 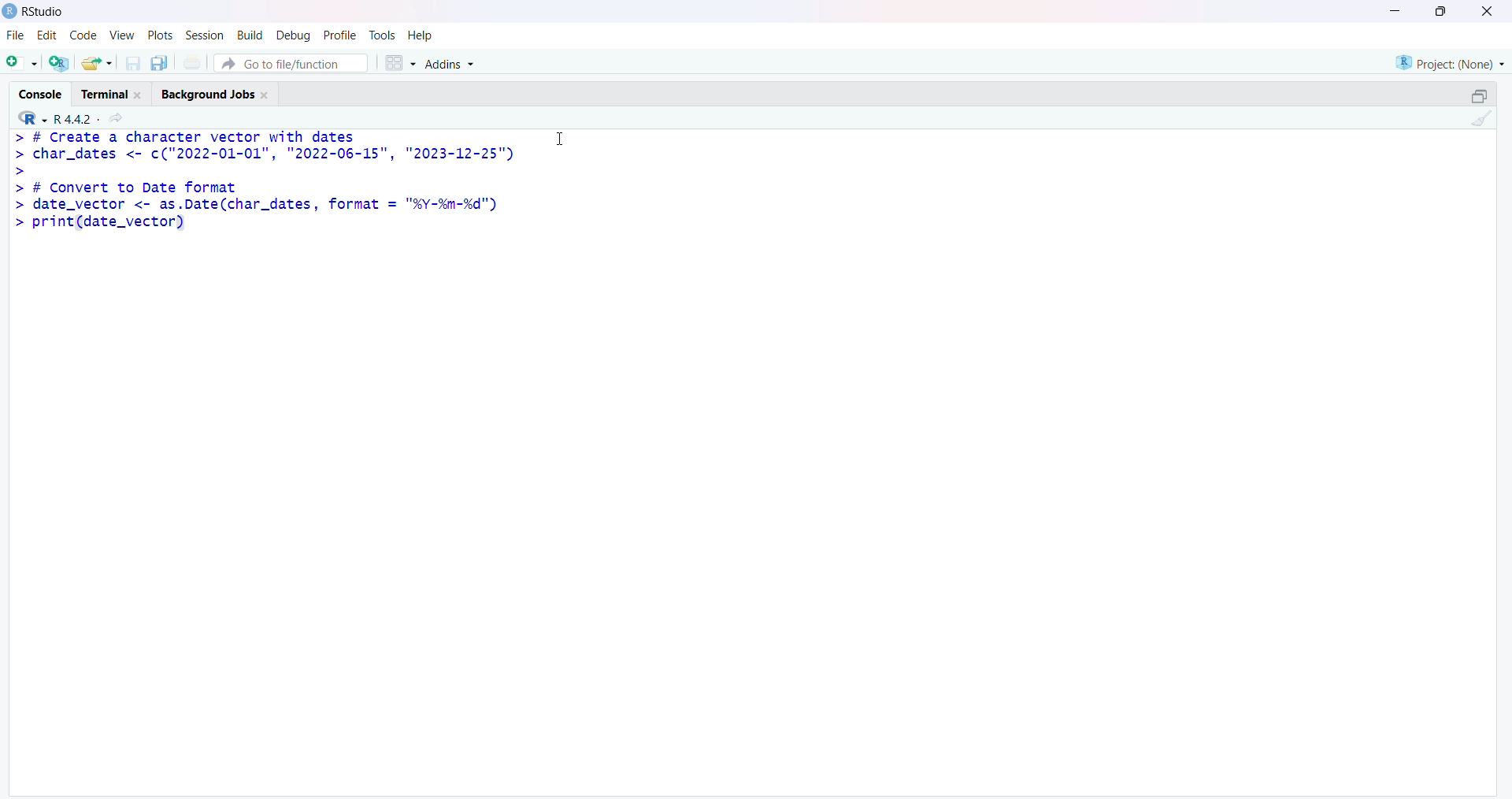 I want to click on View, so click(x=121, y=37).